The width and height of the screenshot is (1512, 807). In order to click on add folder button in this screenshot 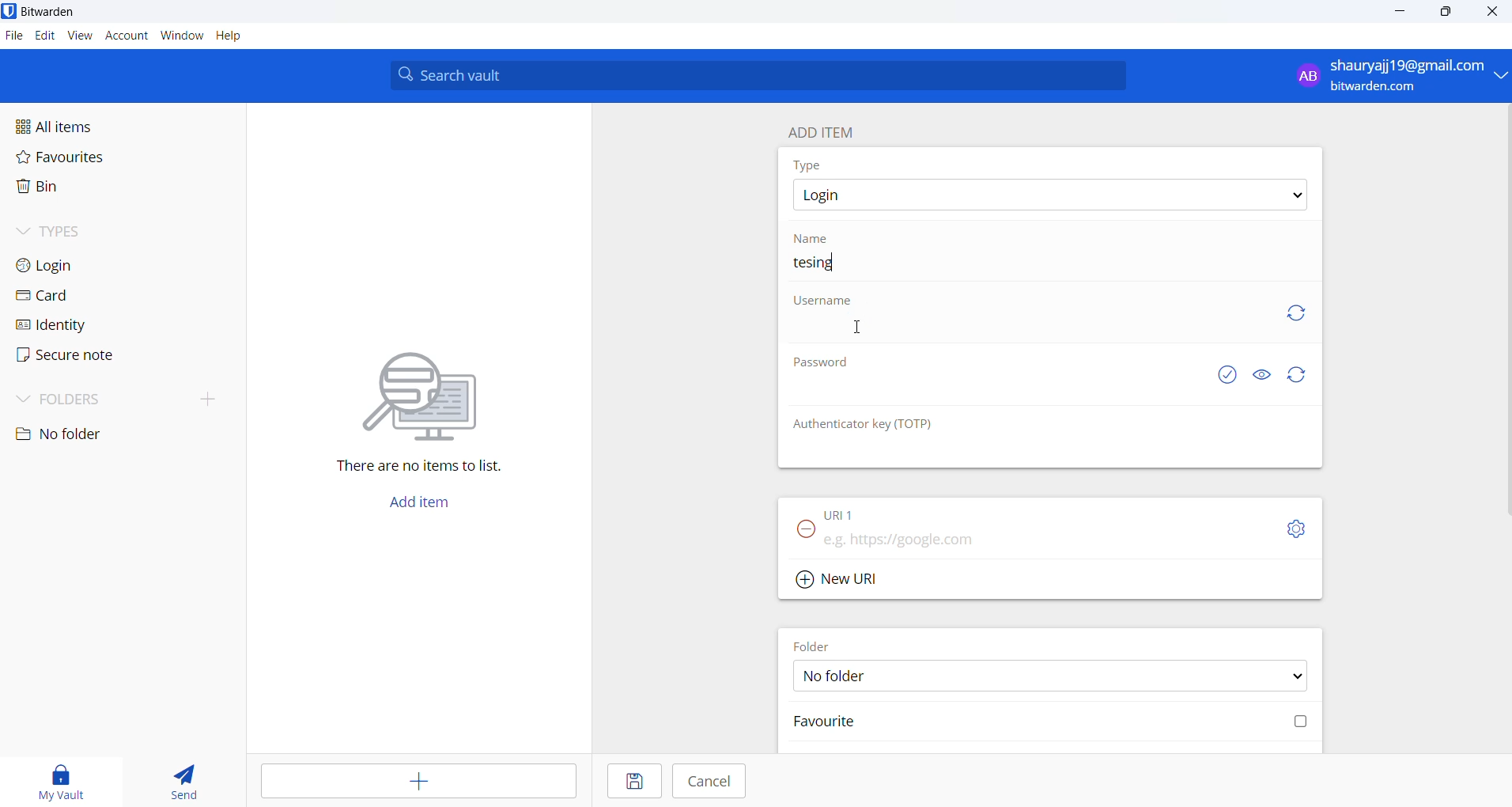, I will do `click(210, 398)`.